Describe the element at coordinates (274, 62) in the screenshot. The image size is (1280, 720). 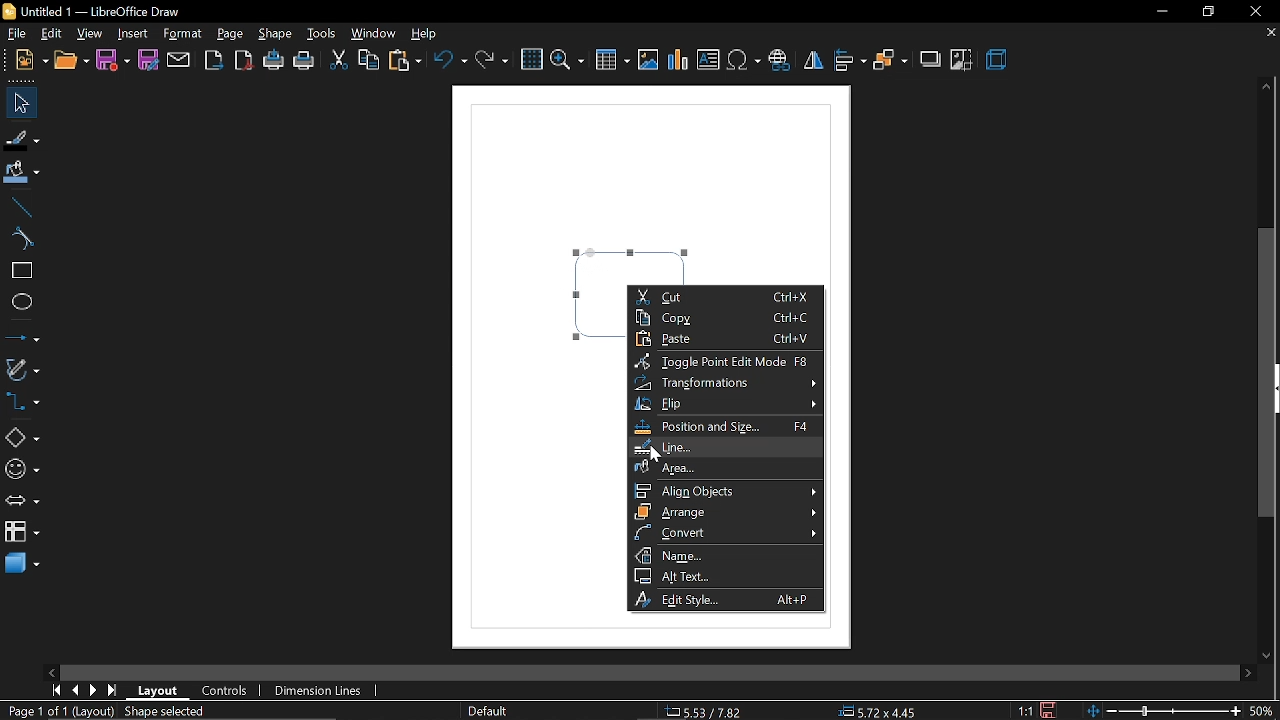
I see `print directly` at that location.